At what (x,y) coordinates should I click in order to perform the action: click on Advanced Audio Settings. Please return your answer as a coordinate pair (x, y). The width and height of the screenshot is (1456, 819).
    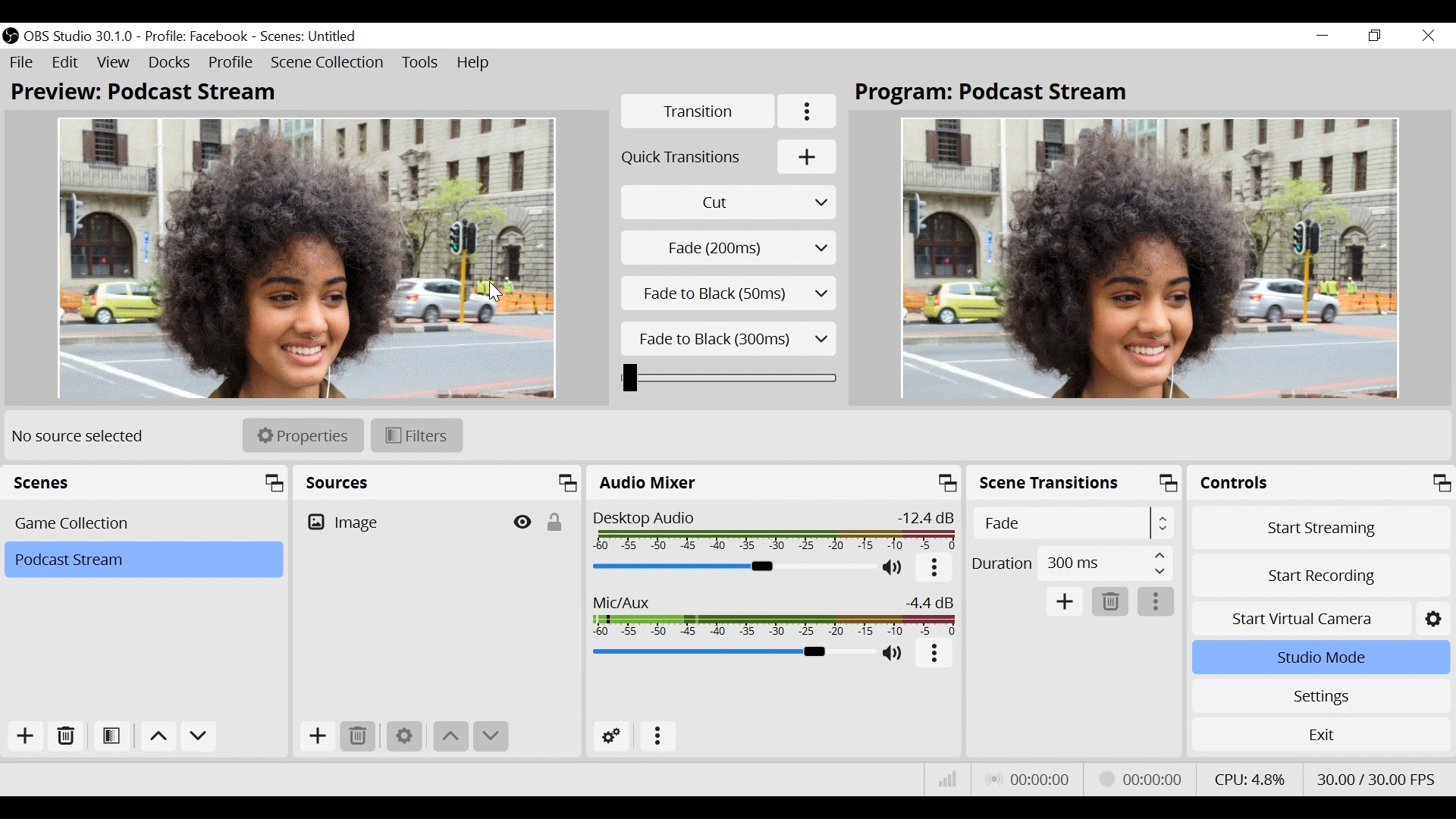
    Looking at the image, I should click on (611, 736).